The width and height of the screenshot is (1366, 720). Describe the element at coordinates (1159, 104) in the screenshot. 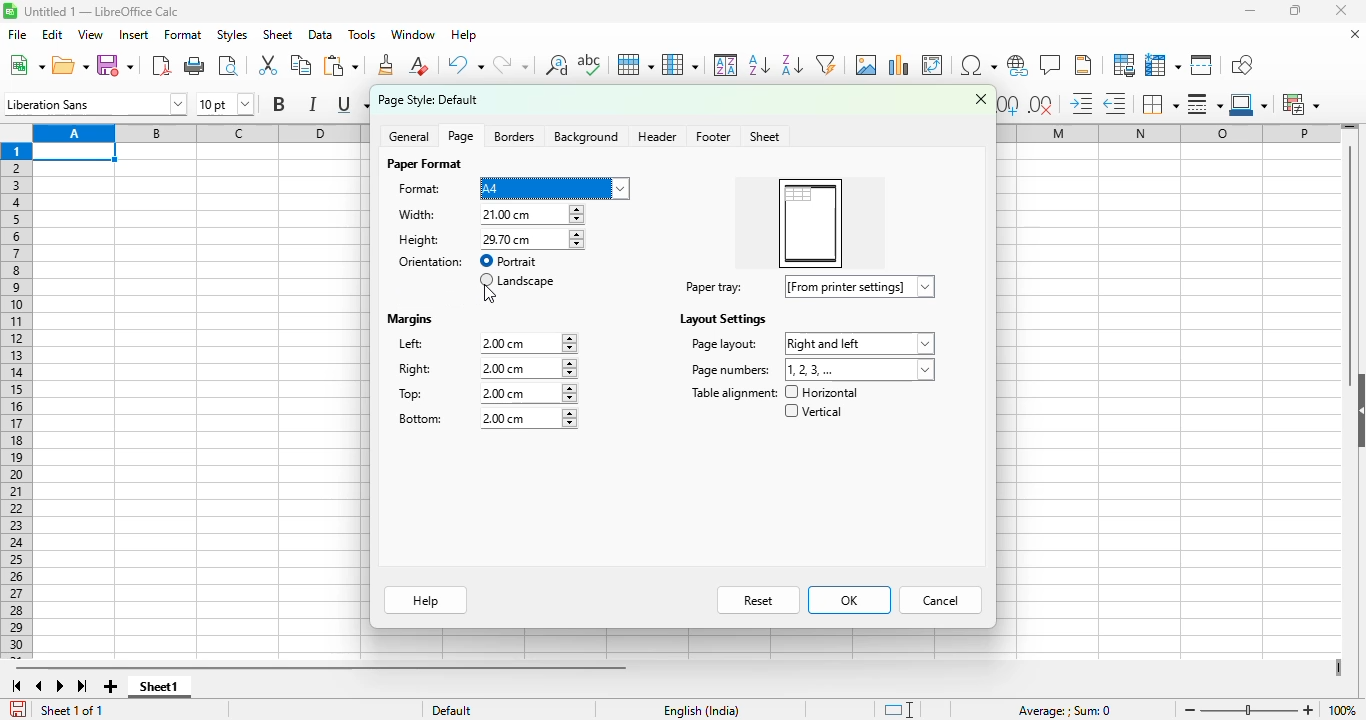

I see `borders` at that location.